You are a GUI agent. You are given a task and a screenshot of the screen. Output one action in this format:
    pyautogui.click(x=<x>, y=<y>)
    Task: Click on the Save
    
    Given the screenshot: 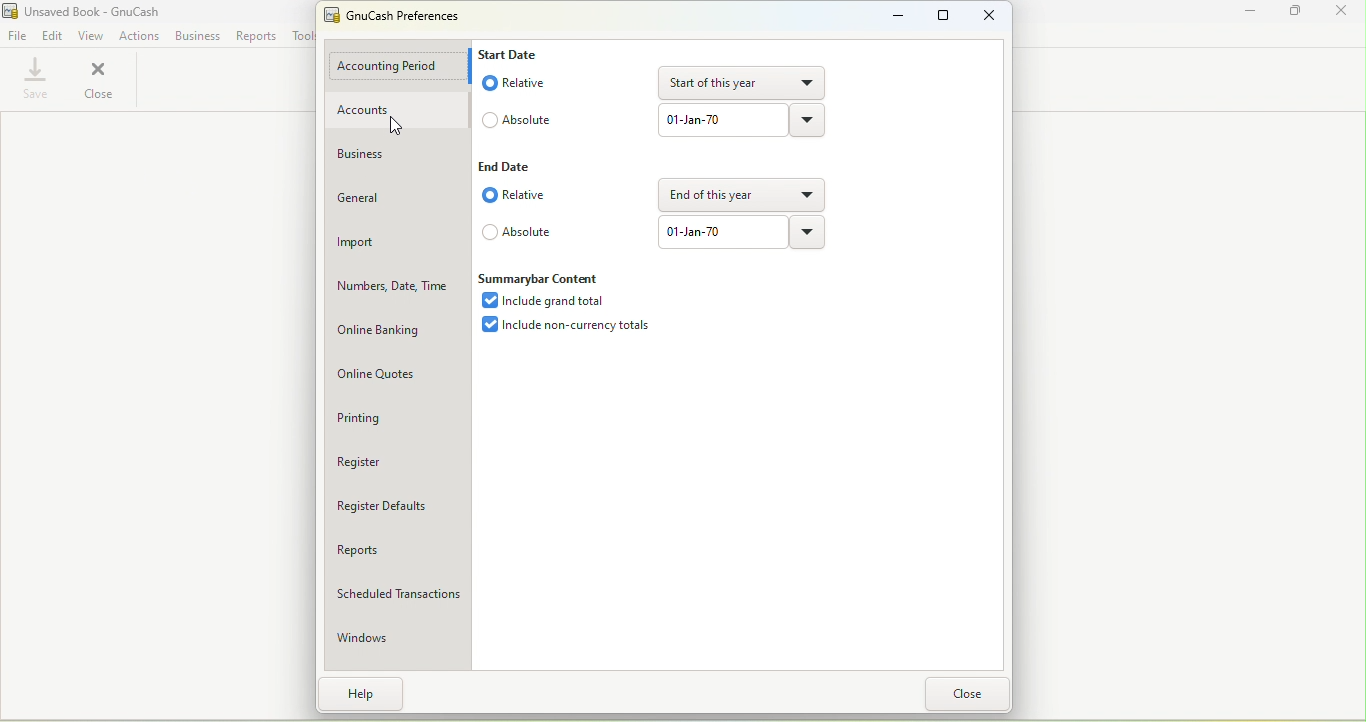 What is the action you would take?
    pyautogui.click(x=33, y=79)
    